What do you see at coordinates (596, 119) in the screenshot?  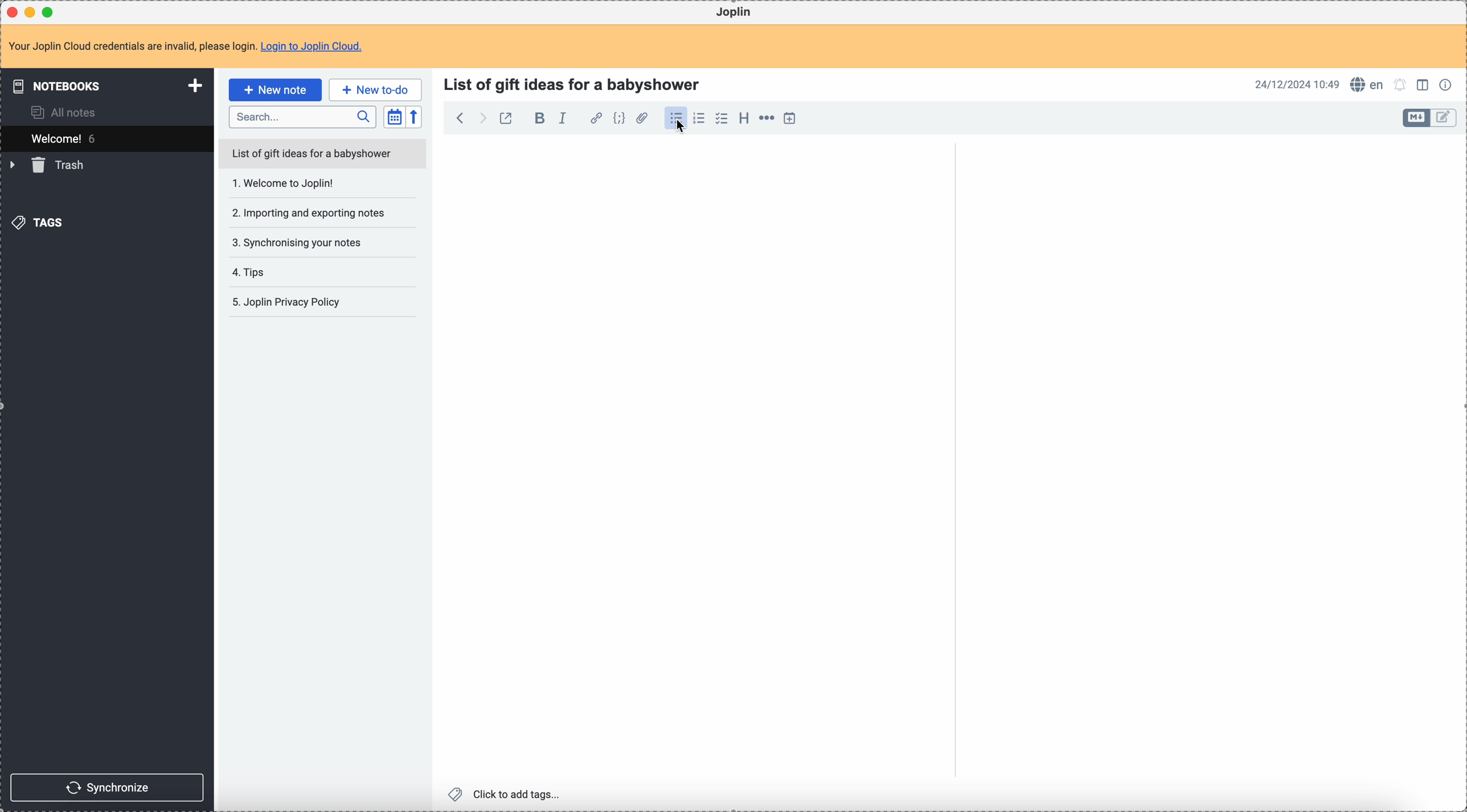 I see `hyperlink` at bounding box center [596, 119].